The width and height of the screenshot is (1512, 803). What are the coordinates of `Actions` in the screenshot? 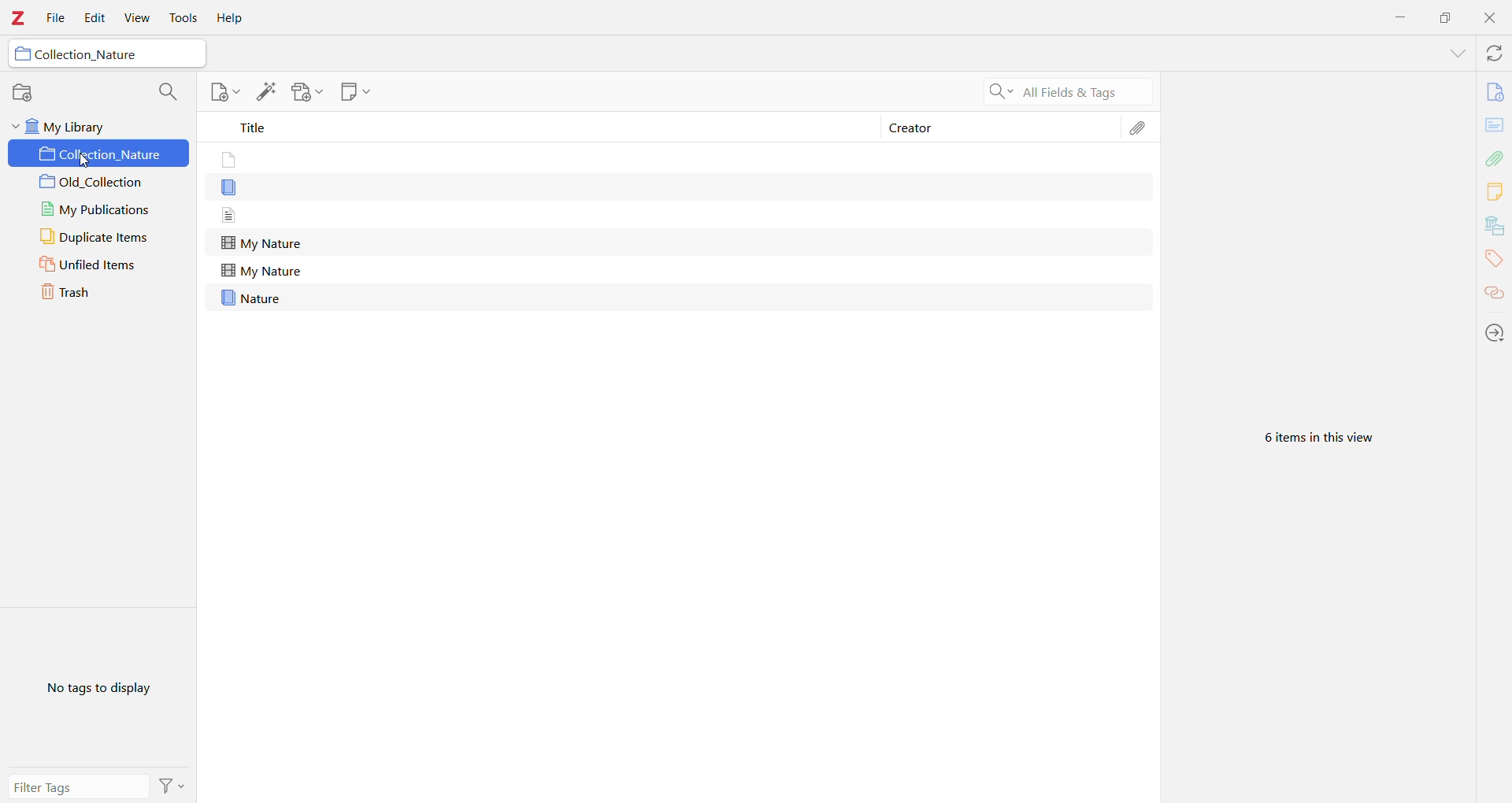 It's located at (174, 785).